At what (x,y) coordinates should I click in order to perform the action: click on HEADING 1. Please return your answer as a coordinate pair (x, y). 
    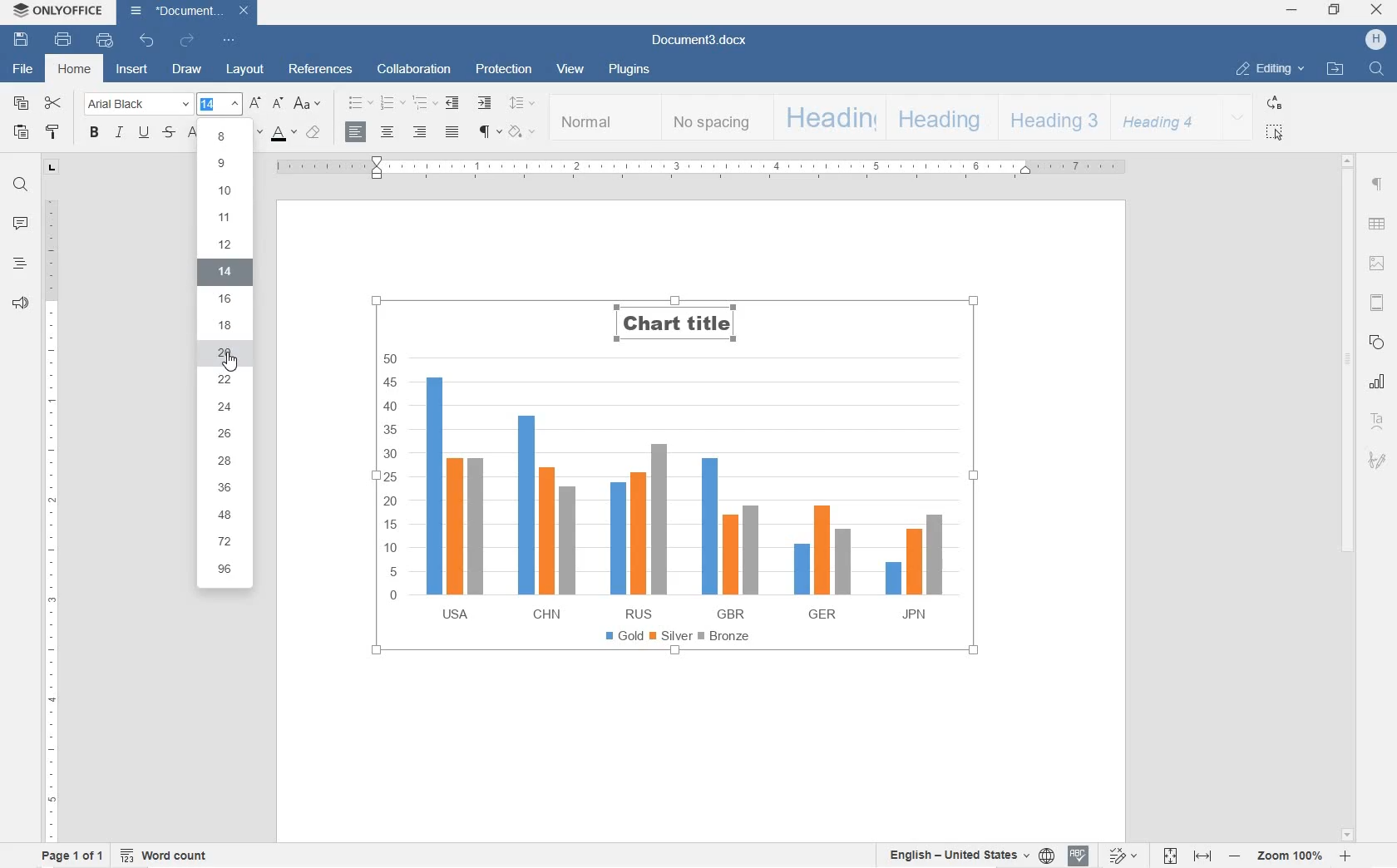
    Looking at the image, I should click on (827, 118).